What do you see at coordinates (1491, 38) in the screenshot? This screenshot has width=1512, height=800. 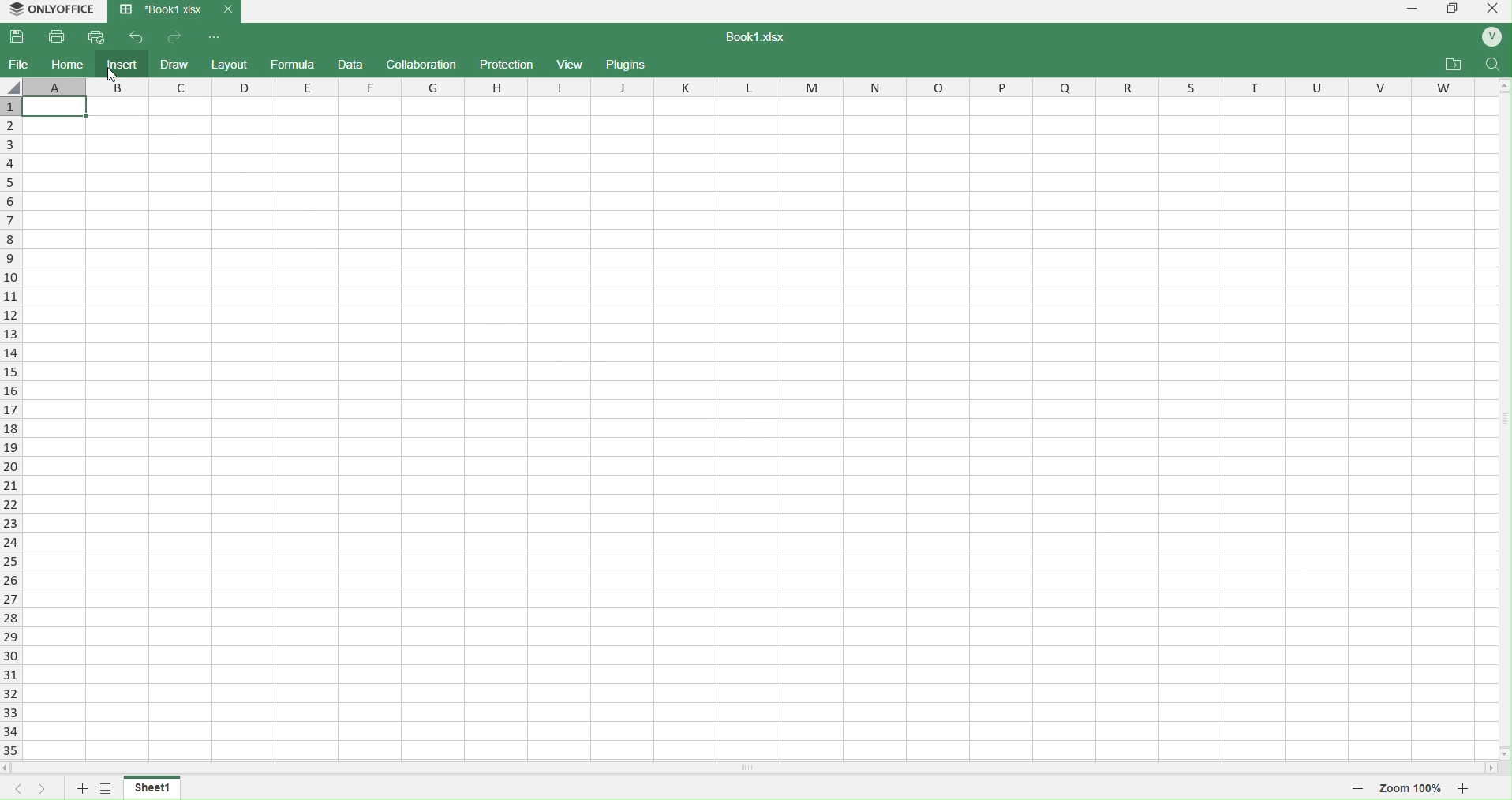 I see `profile` at bounding box center [1491, 38].